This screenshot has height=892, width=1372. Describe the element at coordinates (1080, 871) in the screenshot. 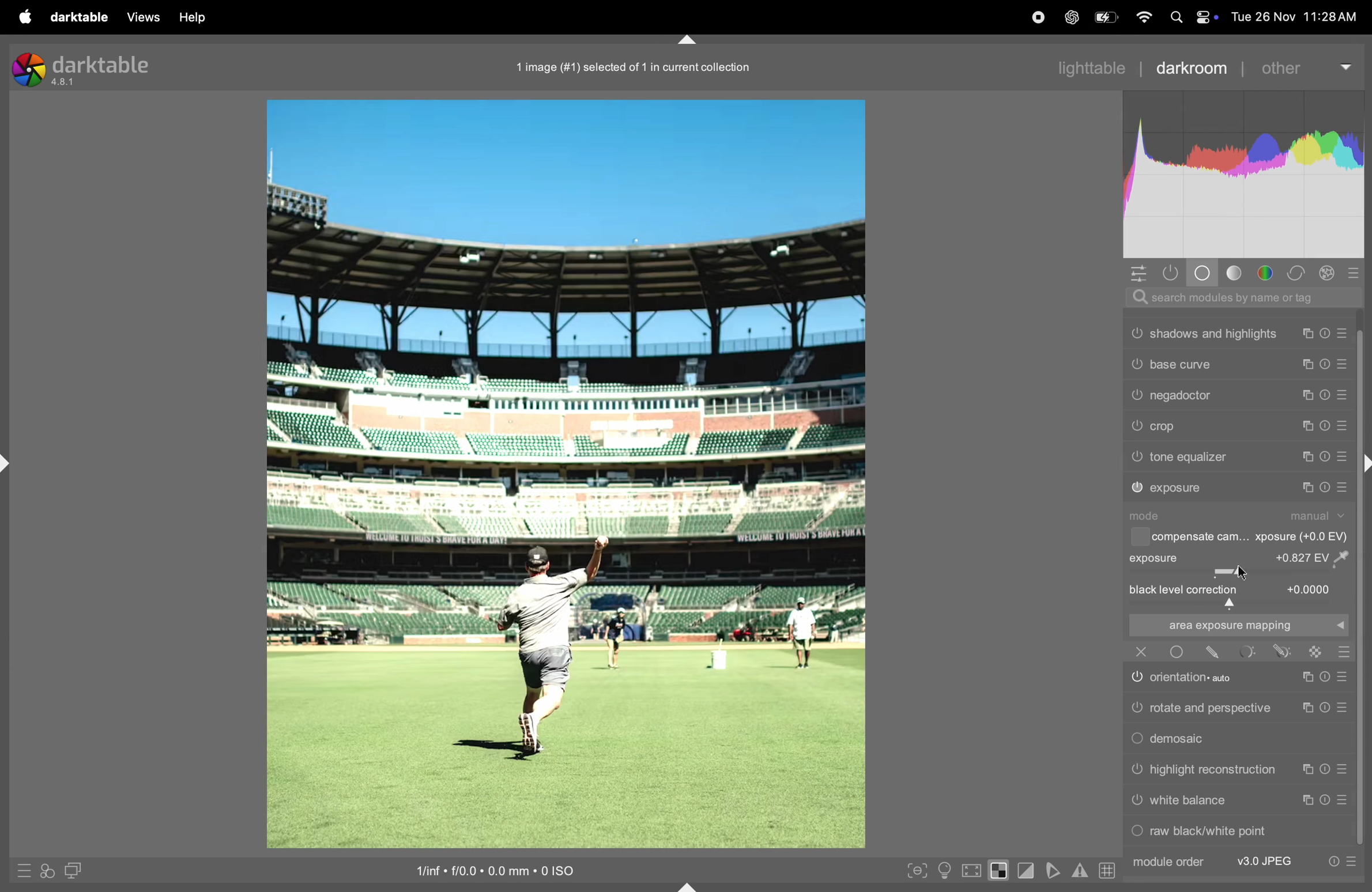

I see `warn ` at that location.